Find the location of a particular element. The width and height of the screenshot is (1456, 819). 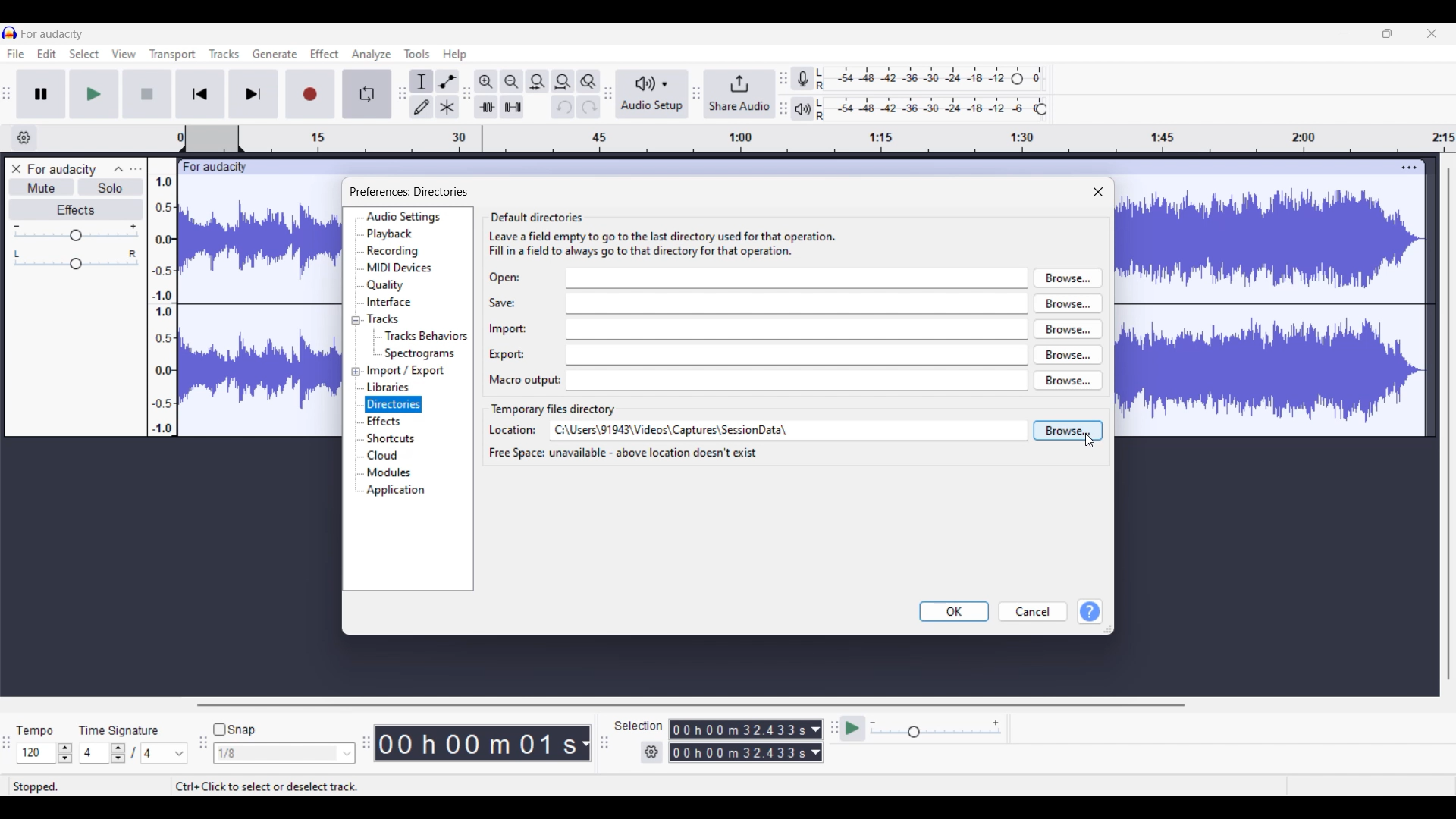

Indicates text box for Open is located at coordinates (505, 278).